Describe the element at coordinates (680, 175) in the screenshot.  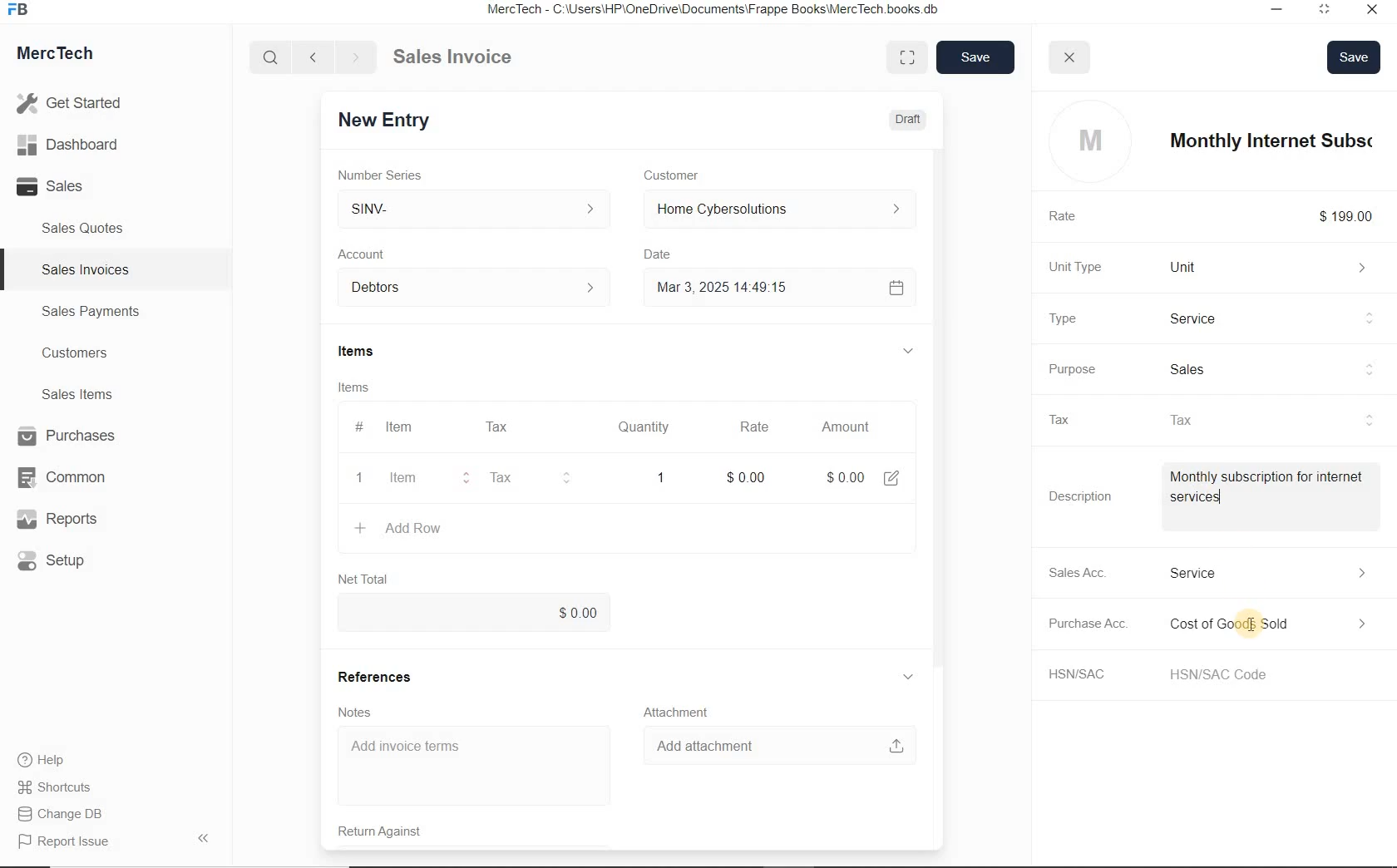
I see `Customer` at that location.